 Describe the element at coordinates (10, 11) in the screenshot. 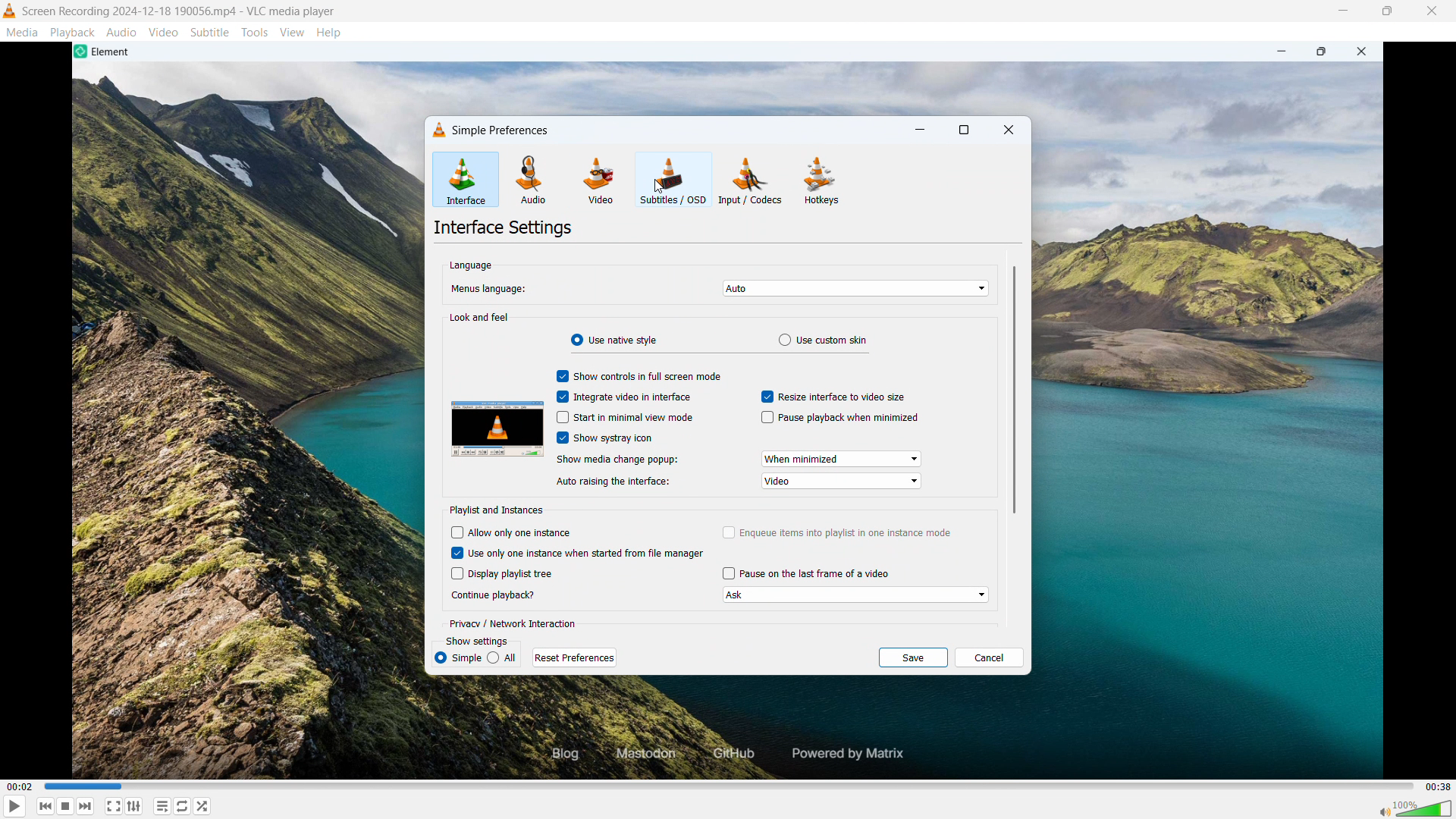

I see `Logo ` at that location.